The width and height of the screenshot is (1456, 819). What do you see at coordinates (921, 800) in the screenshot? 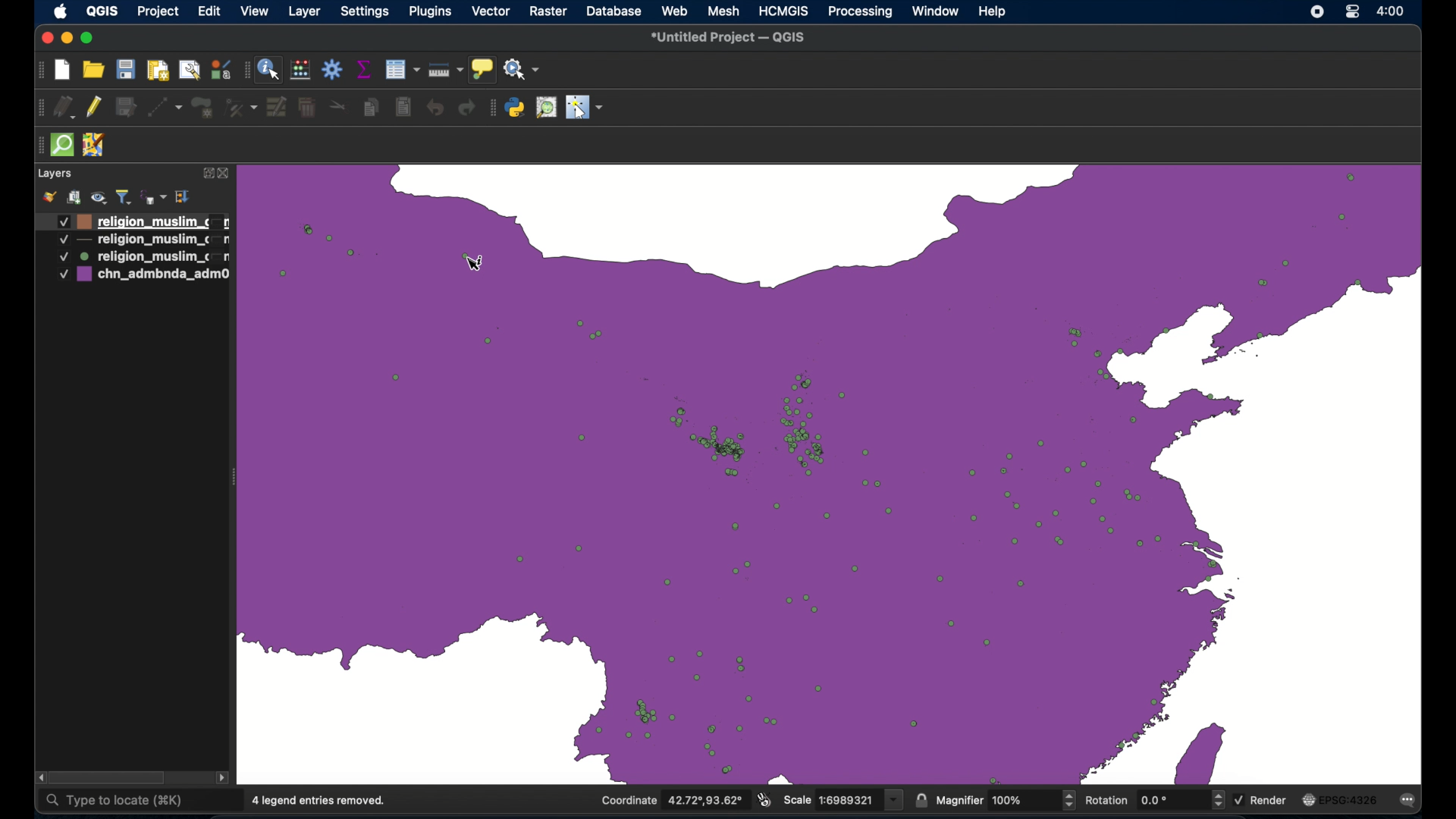
I see `lock scale` at bounding box center [921, 800].